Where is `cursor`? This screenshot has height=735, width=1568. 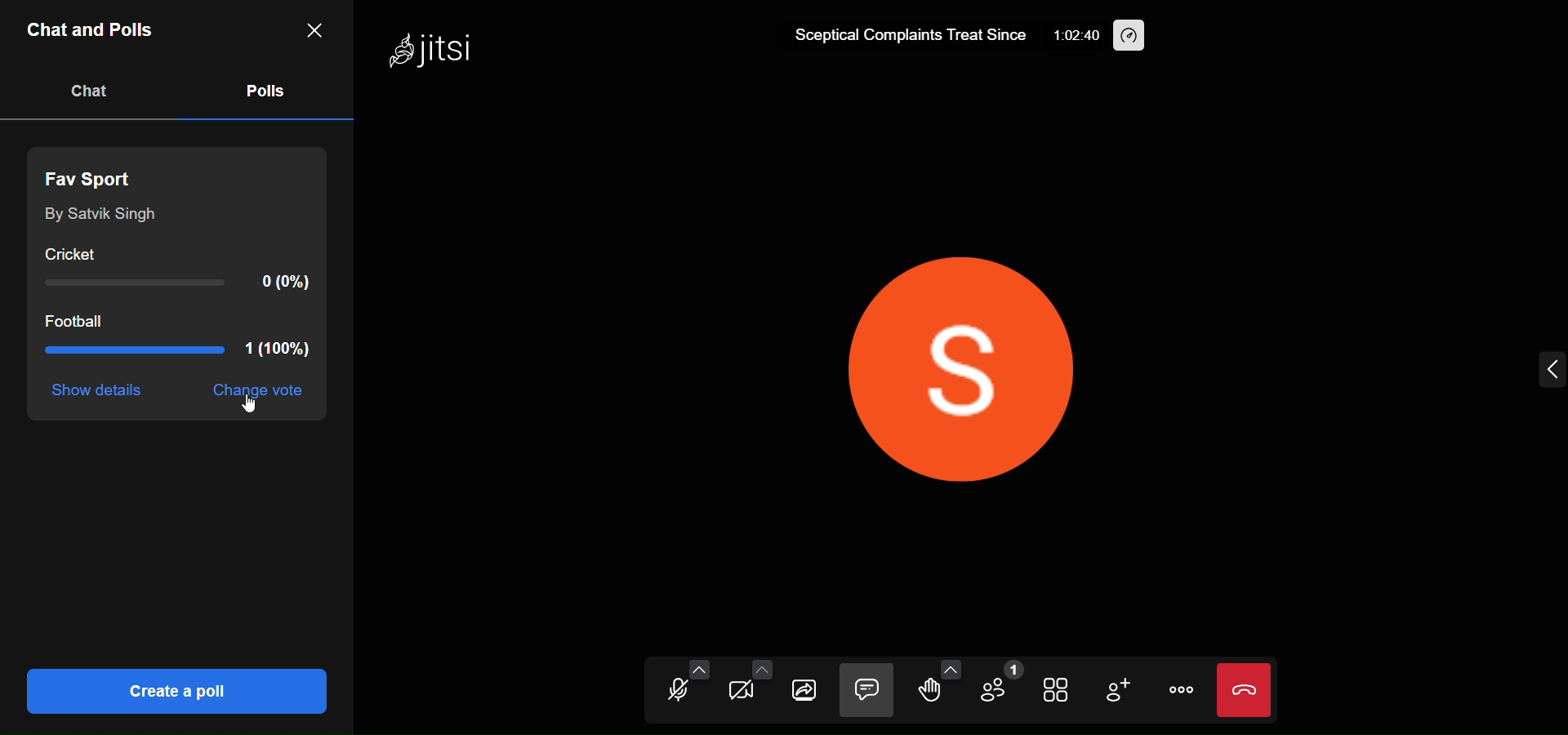
cursor is located at coordinates (254, 412).